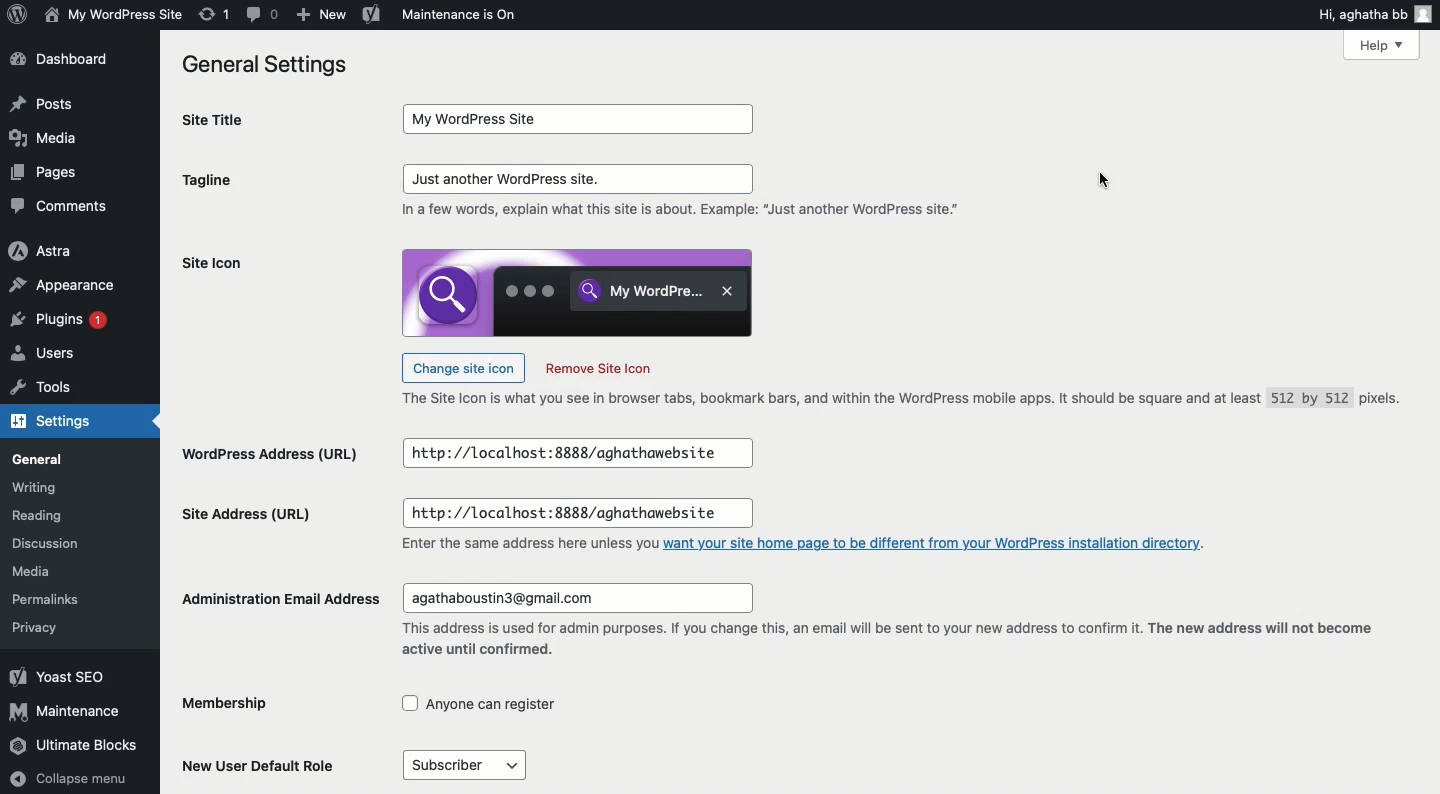 Image resolution: width=1440 pixels, height=794 pixels. I want to click on Text, so click(909, 400).